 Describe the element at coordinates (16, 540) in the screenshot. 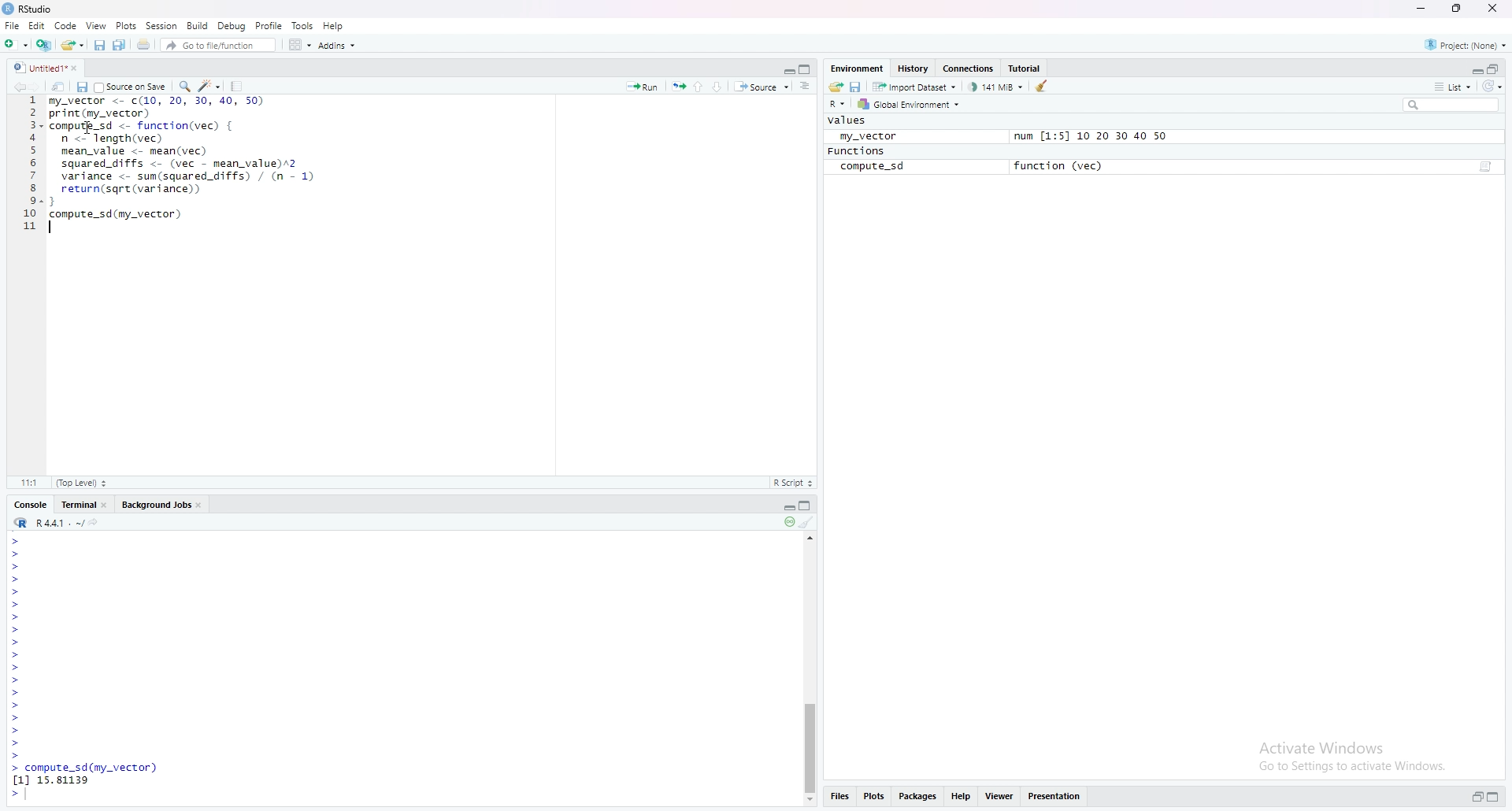

I see `Prompt cursor` at that location.